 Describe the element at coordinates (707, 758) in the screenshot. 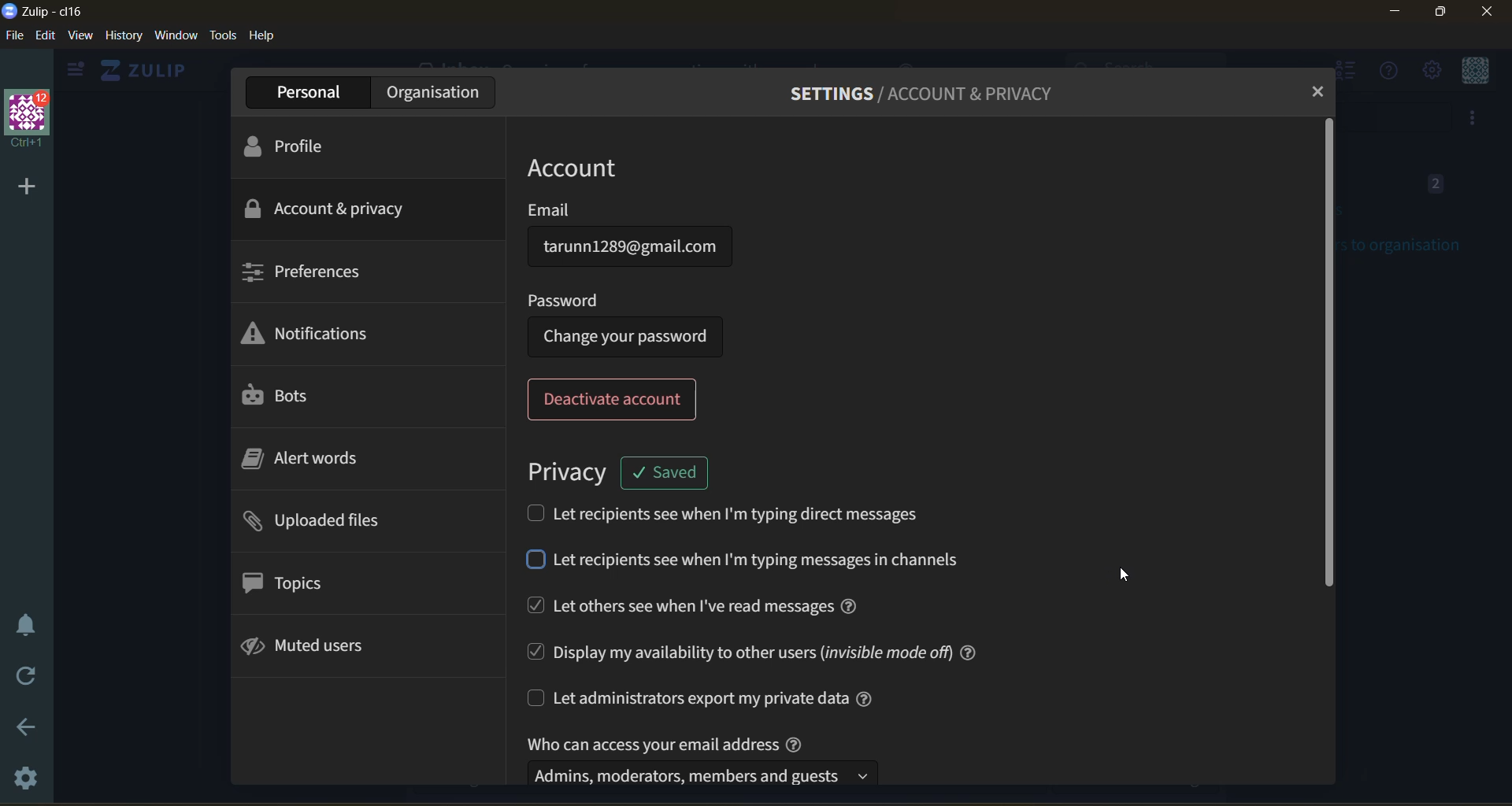

I see `who can access your email address` at that location.